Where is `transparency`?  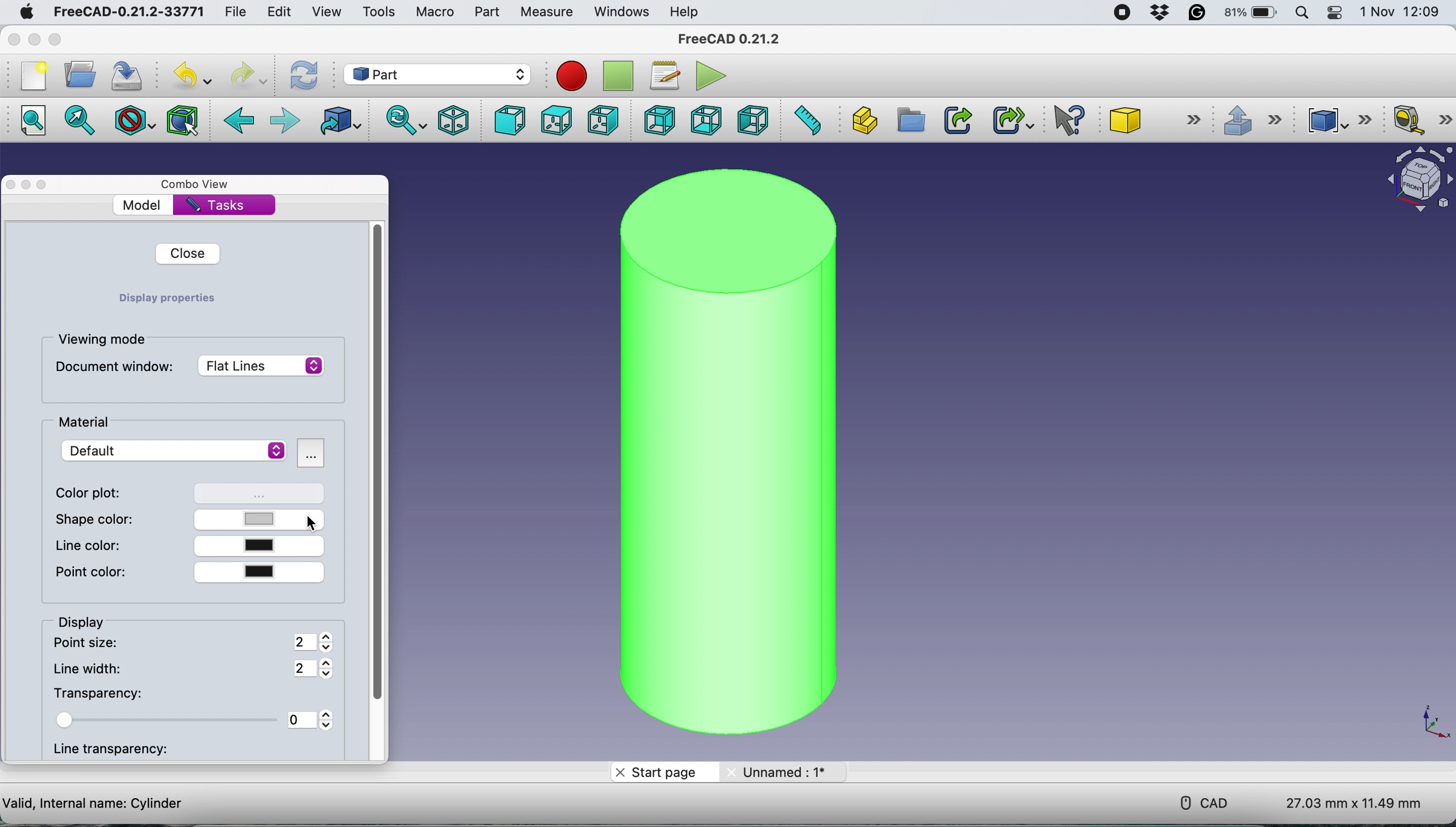
transparency is located at coordinates (192, 707).